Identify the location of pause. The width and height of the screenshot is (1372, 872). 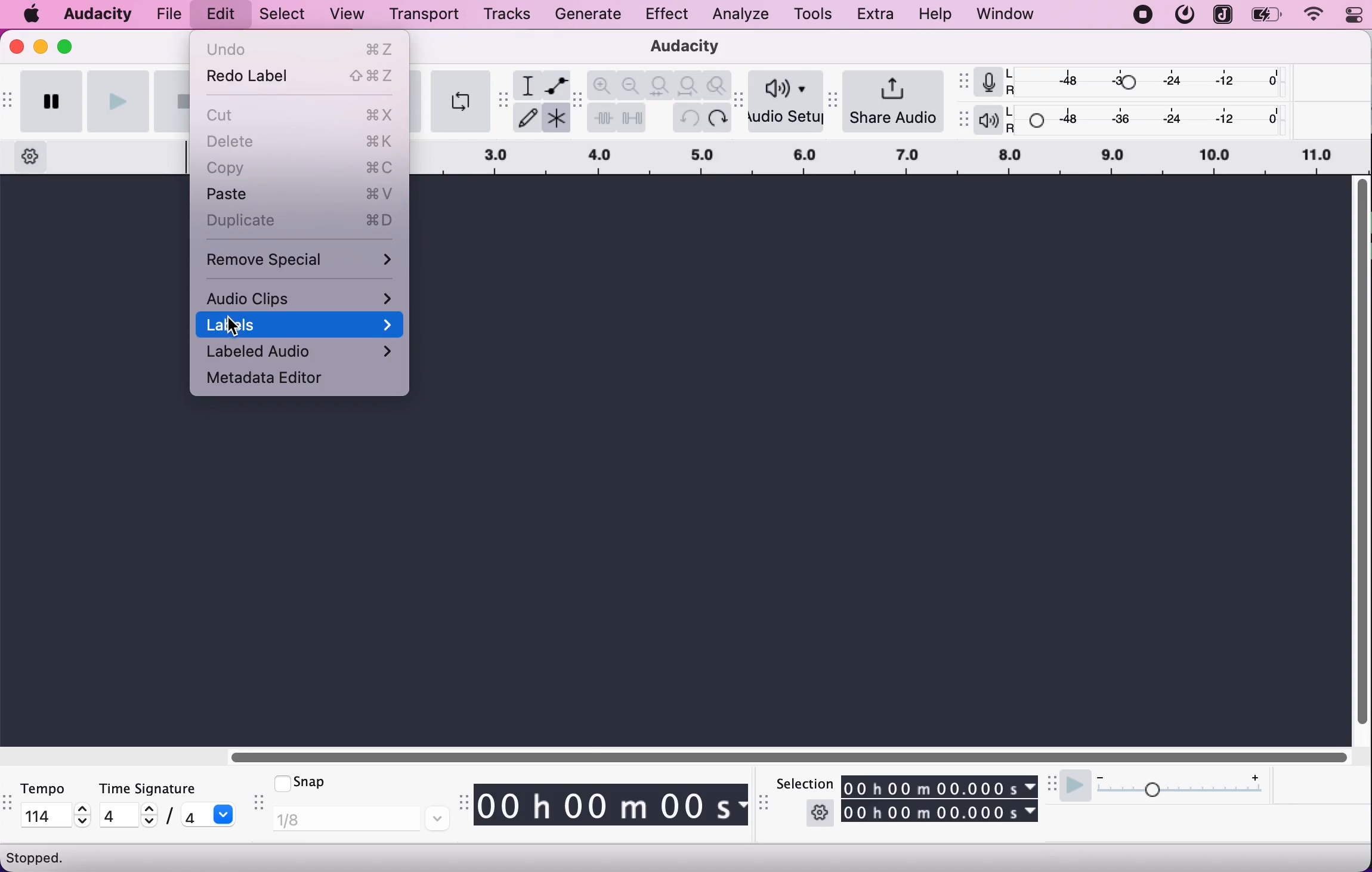
(52, 101).